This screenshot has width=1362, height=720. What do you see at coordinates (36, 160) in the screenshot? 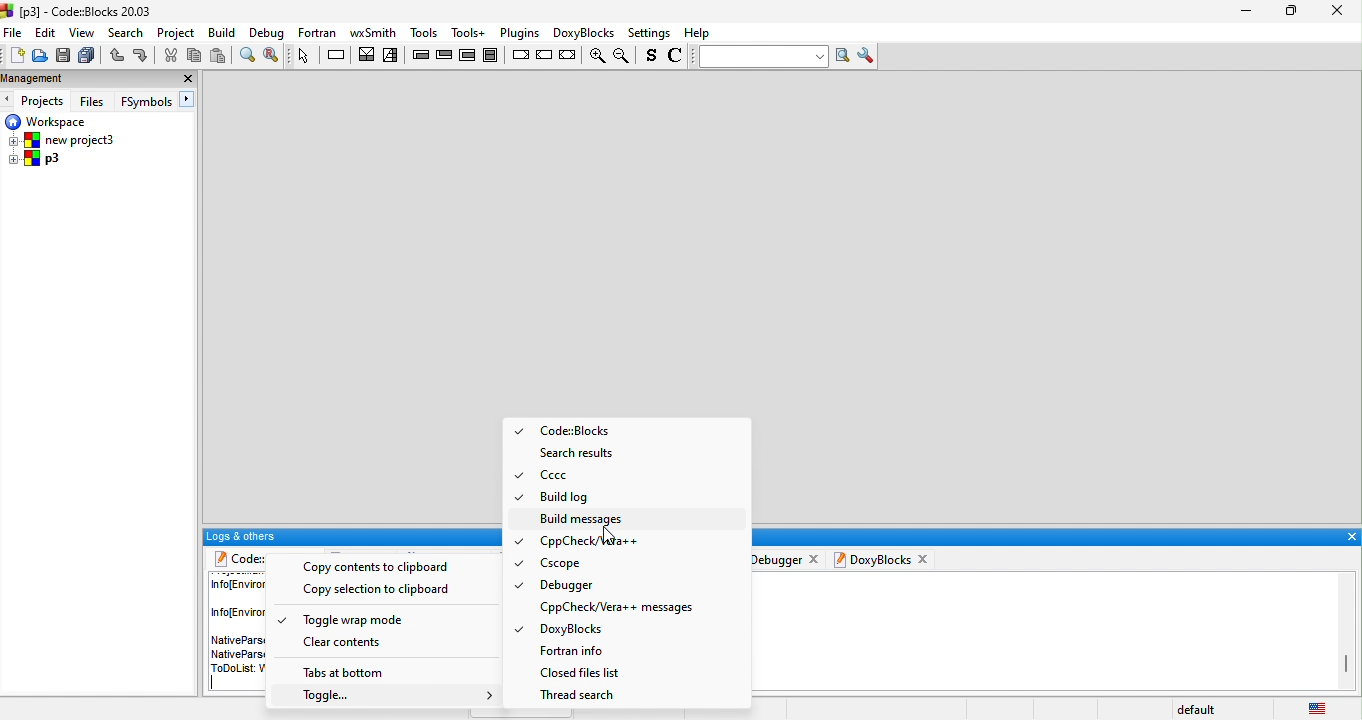
I see `p3` at bounding box center [36, 160].